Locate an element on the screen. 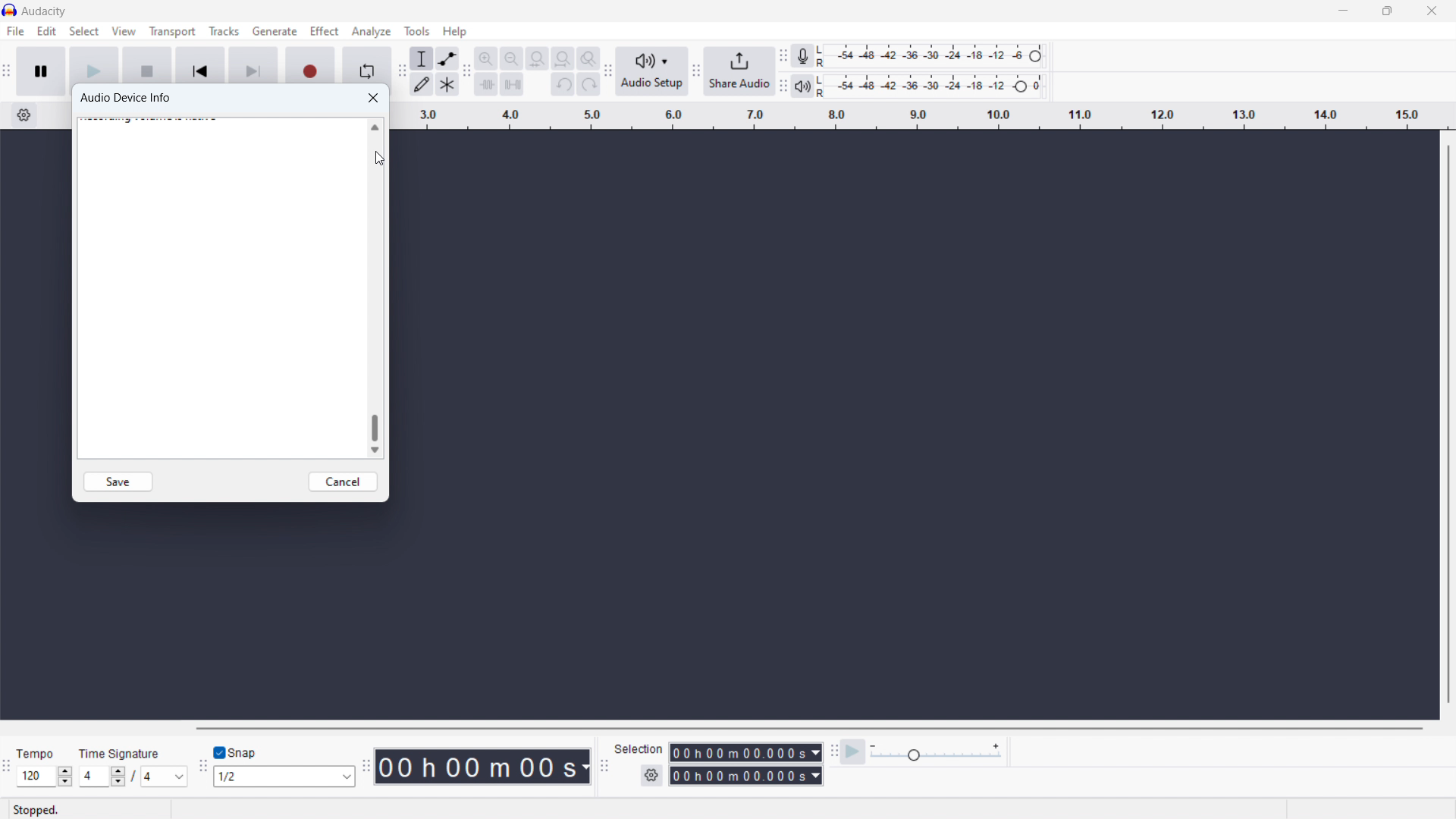 The height and width of the screenshot is (819, 1456). skip to last is located at coordinates (253, 63).